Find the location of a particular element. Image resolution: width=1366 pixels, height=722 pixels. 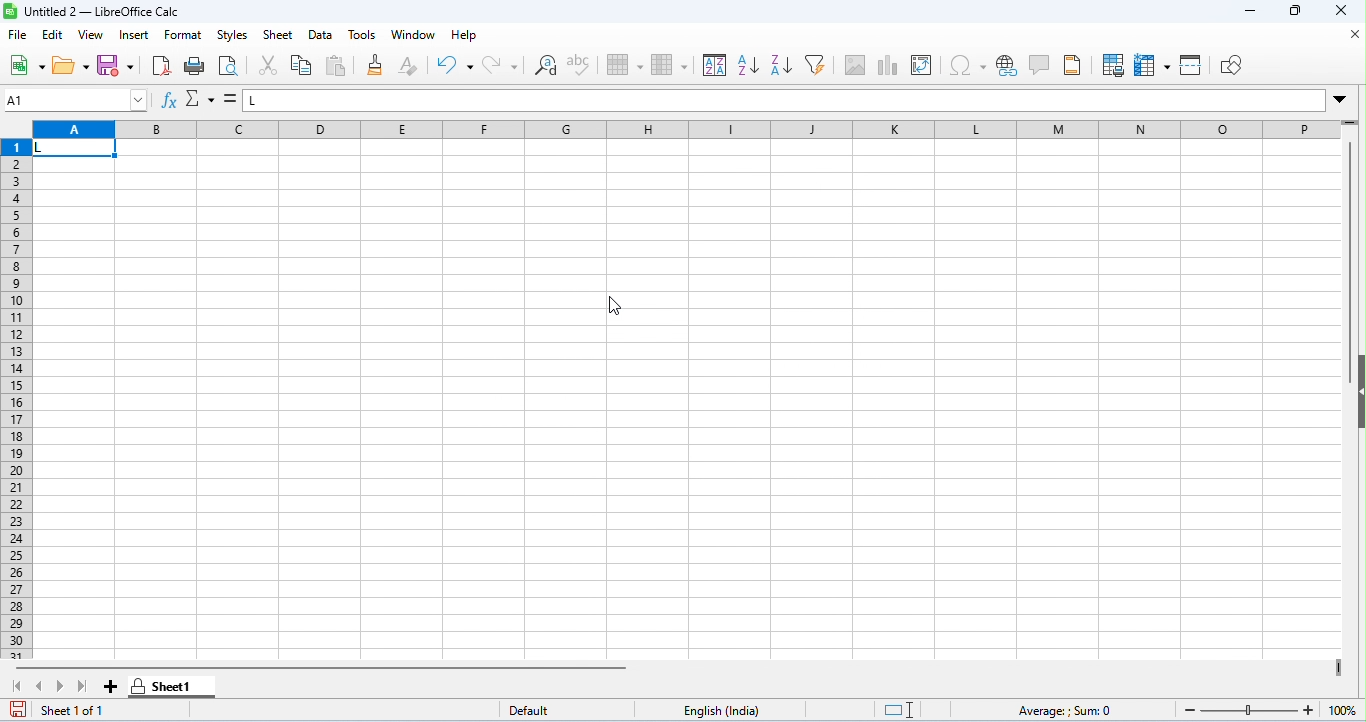

insert image is located at coordinates (854, 64).